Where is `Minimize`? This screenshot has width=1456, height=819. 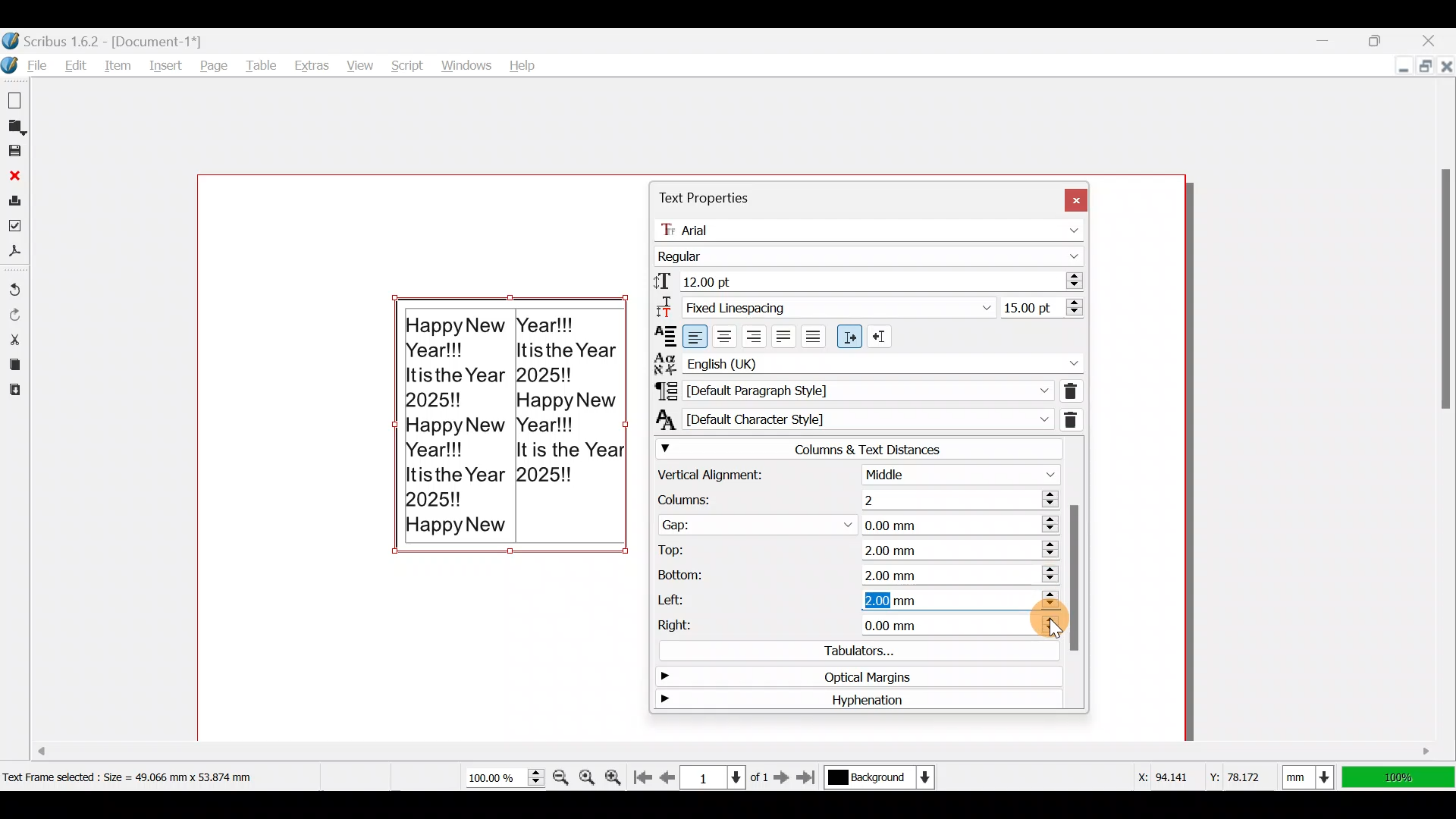
Minimize is located at coordinates (1328, 40).